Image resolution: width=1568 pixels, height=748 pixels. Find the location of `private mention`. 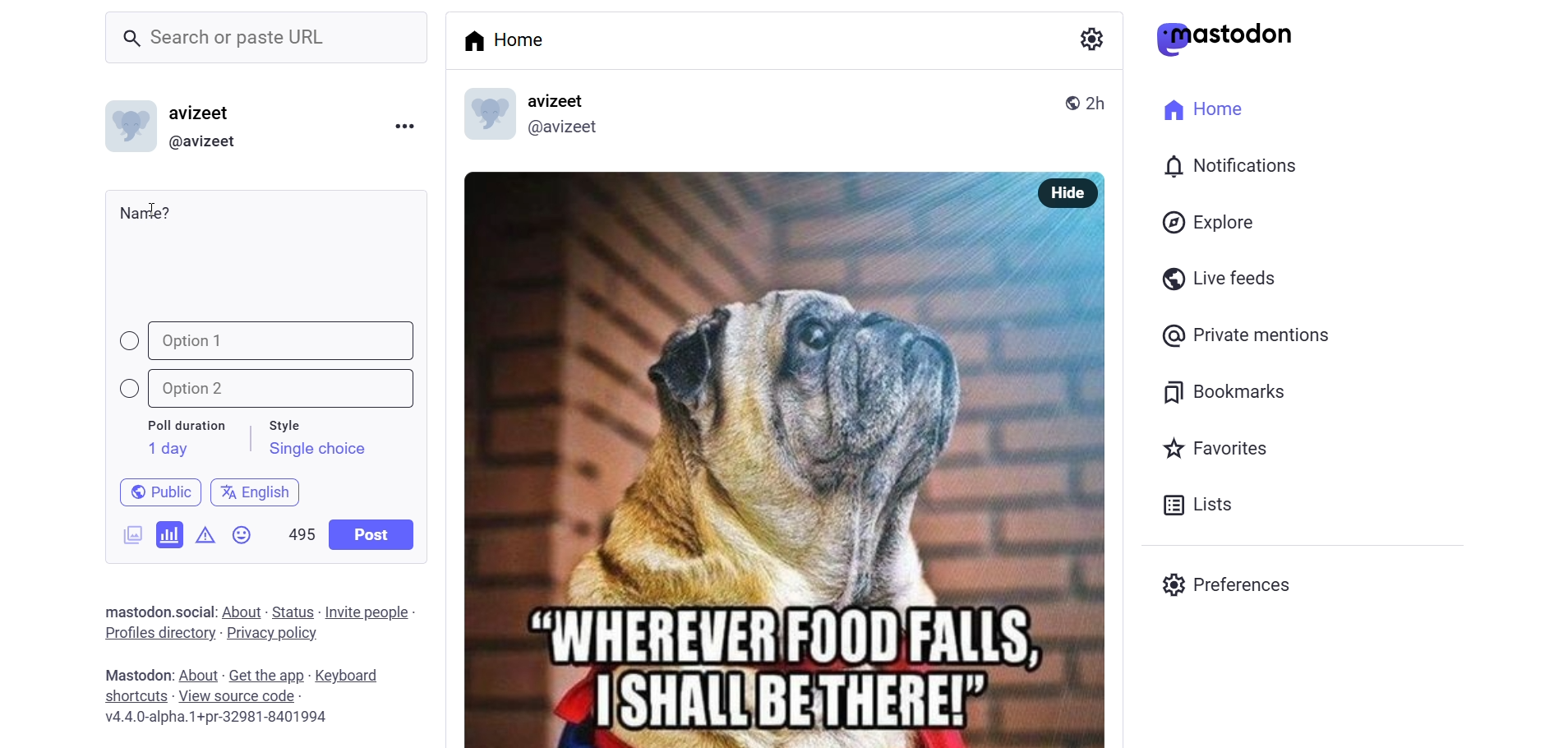

private mention is located at coordinates (1247, 335).